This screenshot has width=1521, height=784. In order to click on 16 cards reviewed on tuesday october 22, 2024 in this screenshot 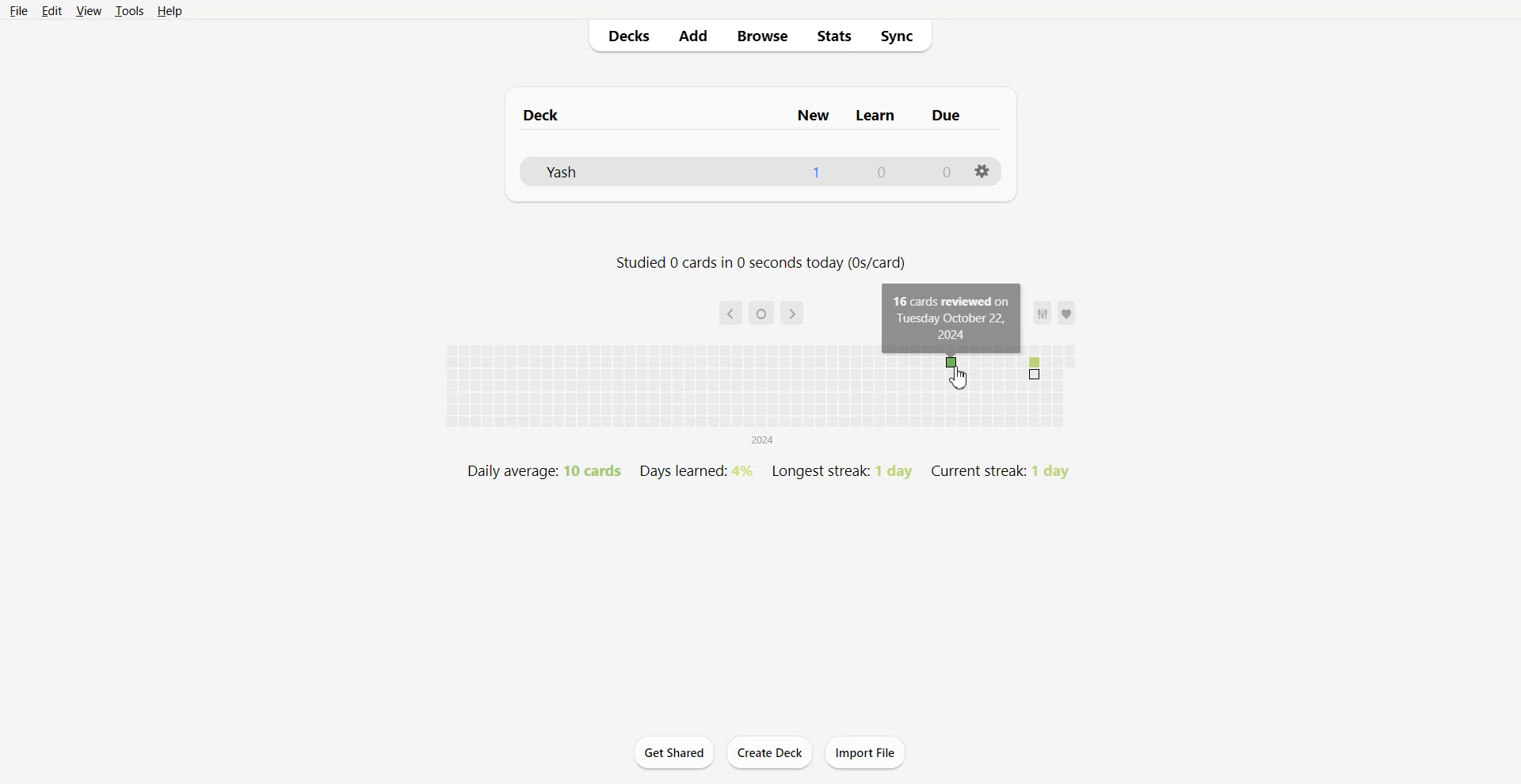, I will do `click(952, 318)`.